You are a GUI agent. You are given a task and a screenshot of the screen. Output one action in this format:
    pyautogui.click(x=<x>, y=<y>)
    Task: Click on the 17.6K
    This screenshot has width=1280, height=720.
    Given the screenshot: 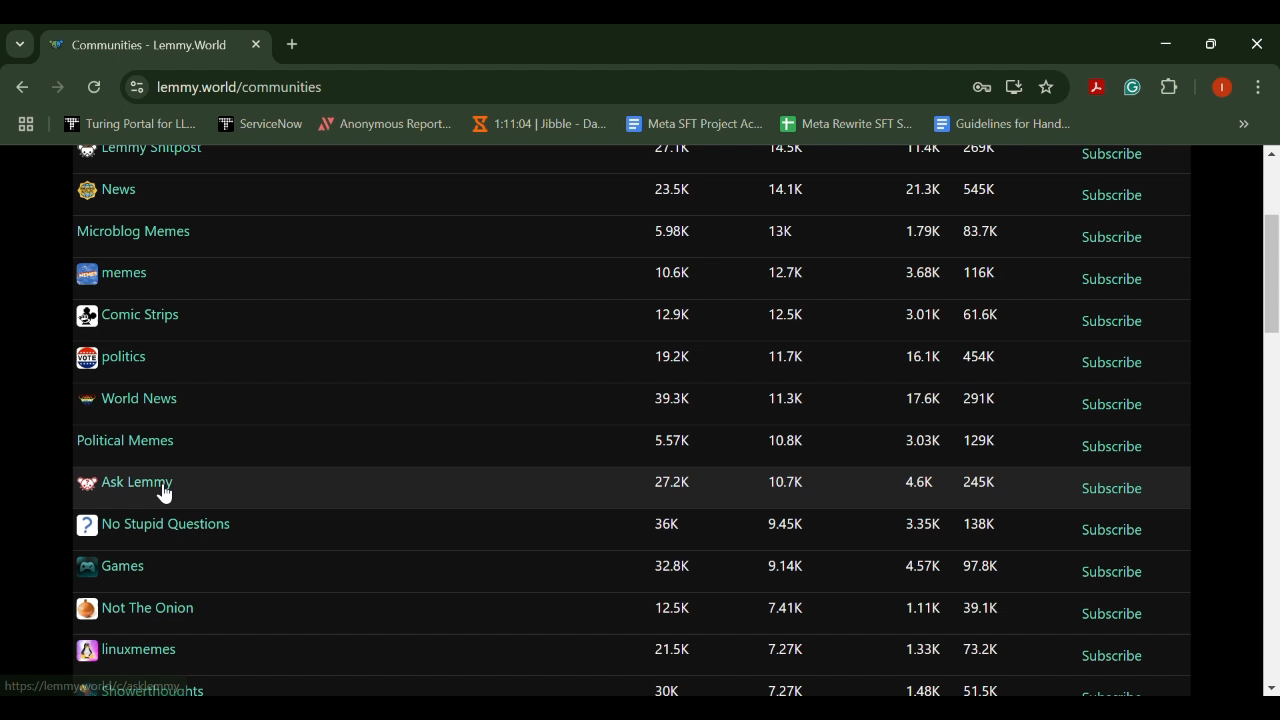 What is the action you would take?
    pyautogui.click(x=922, y=402)
    